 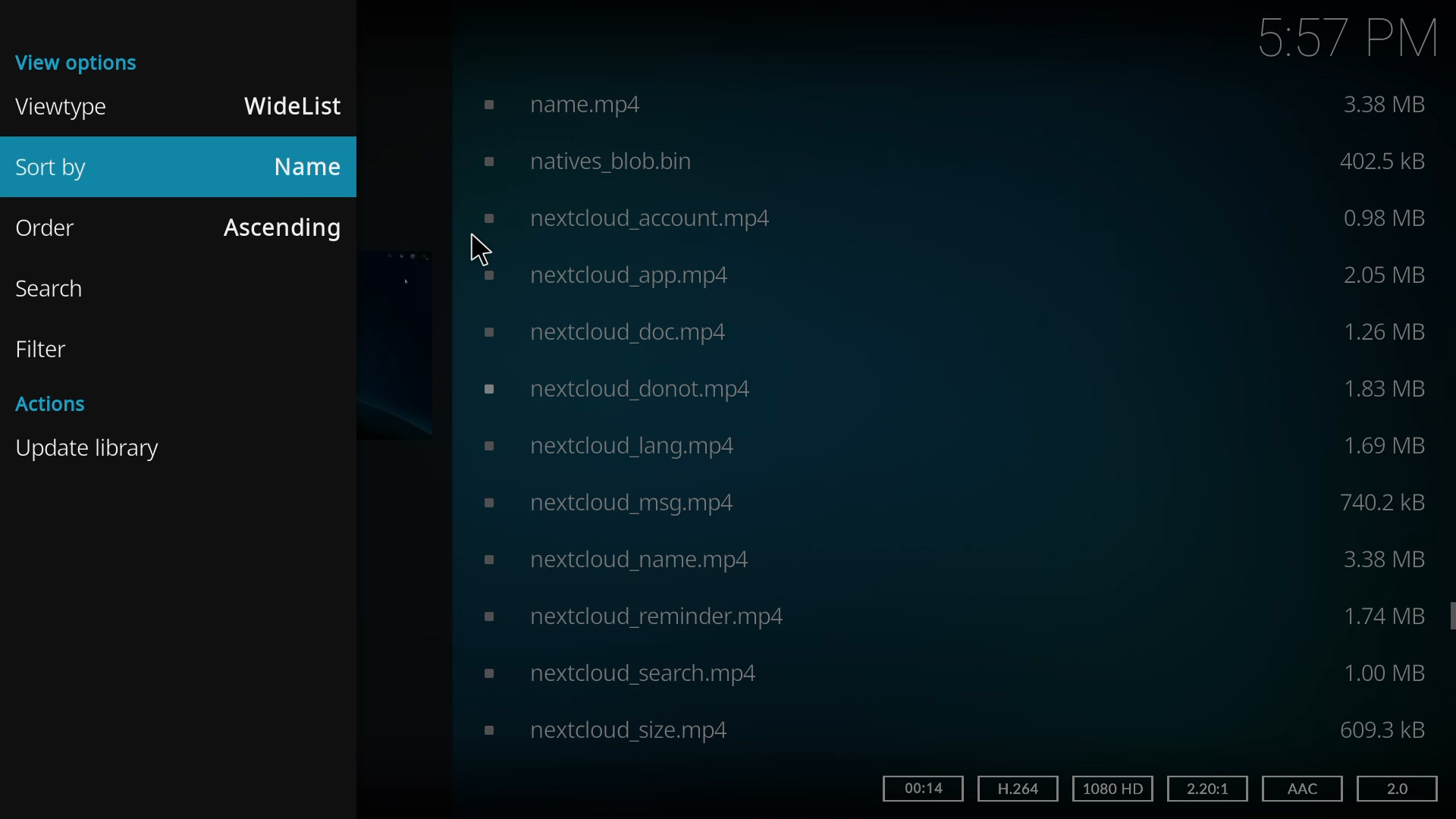 What do you see at coordinates (1395, 788) in the screenshot?
I see `2` at bounding box center [1395, 788].